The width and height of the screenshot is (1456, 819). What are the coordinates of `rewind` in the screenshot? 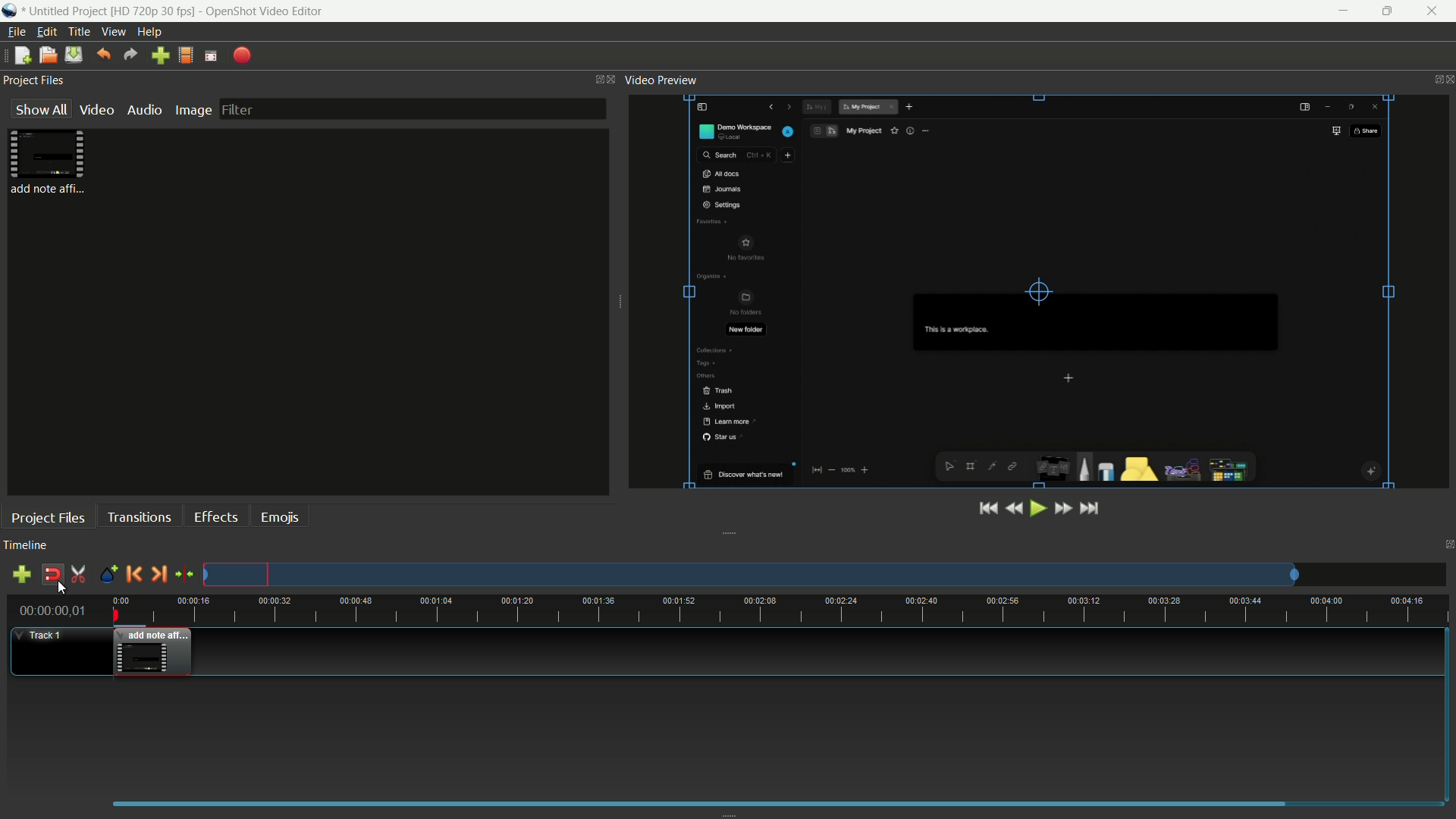 It's located at (1013, 509).